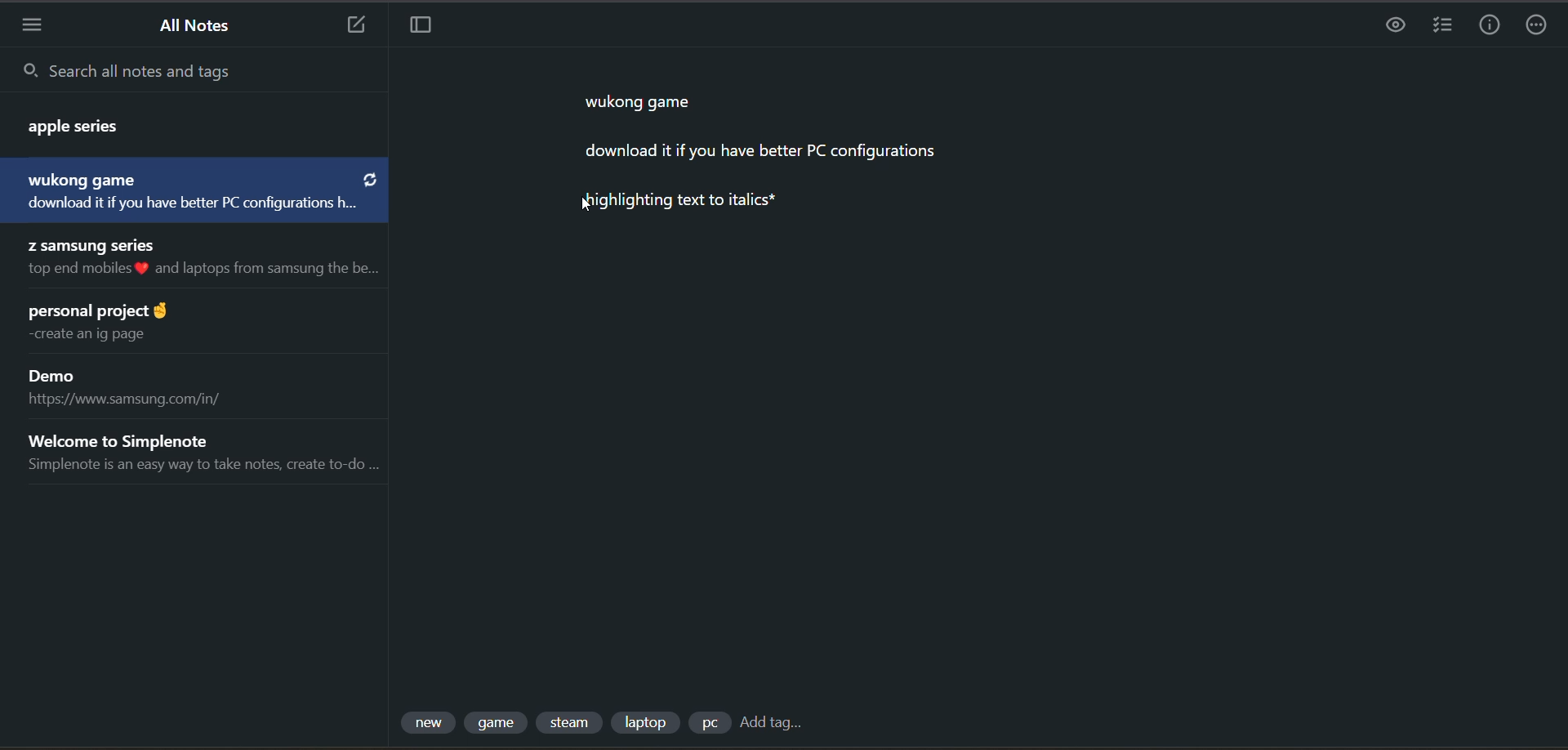 Image resolution: width=1568 pixels, height=750 pixels. What do you see at coordinates (122, 324) in the screenshot?
I see `note title and preview` at bounding box center [122, 324].